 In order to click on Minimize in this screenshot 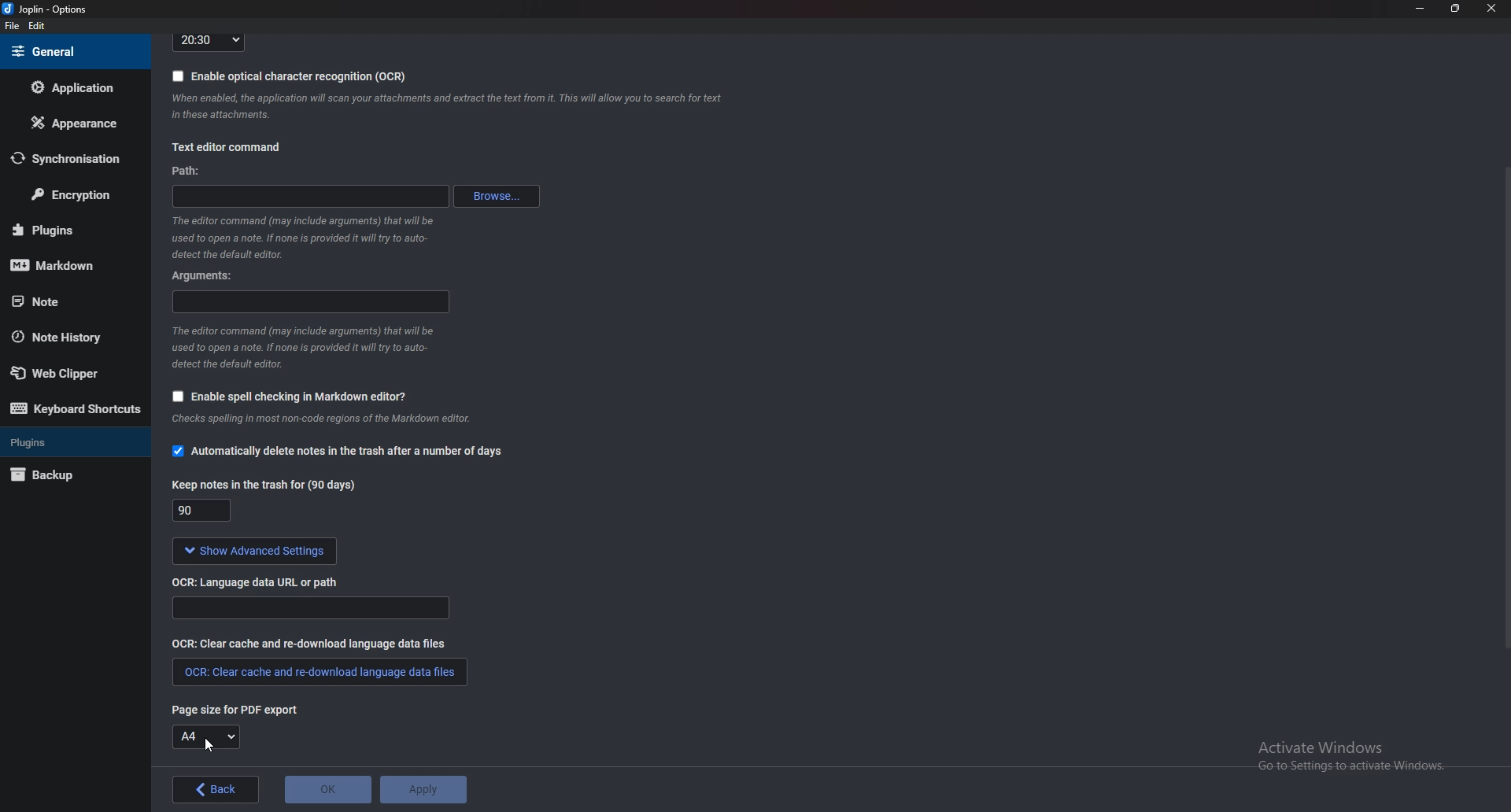, I will do `click(1422, 8)`.